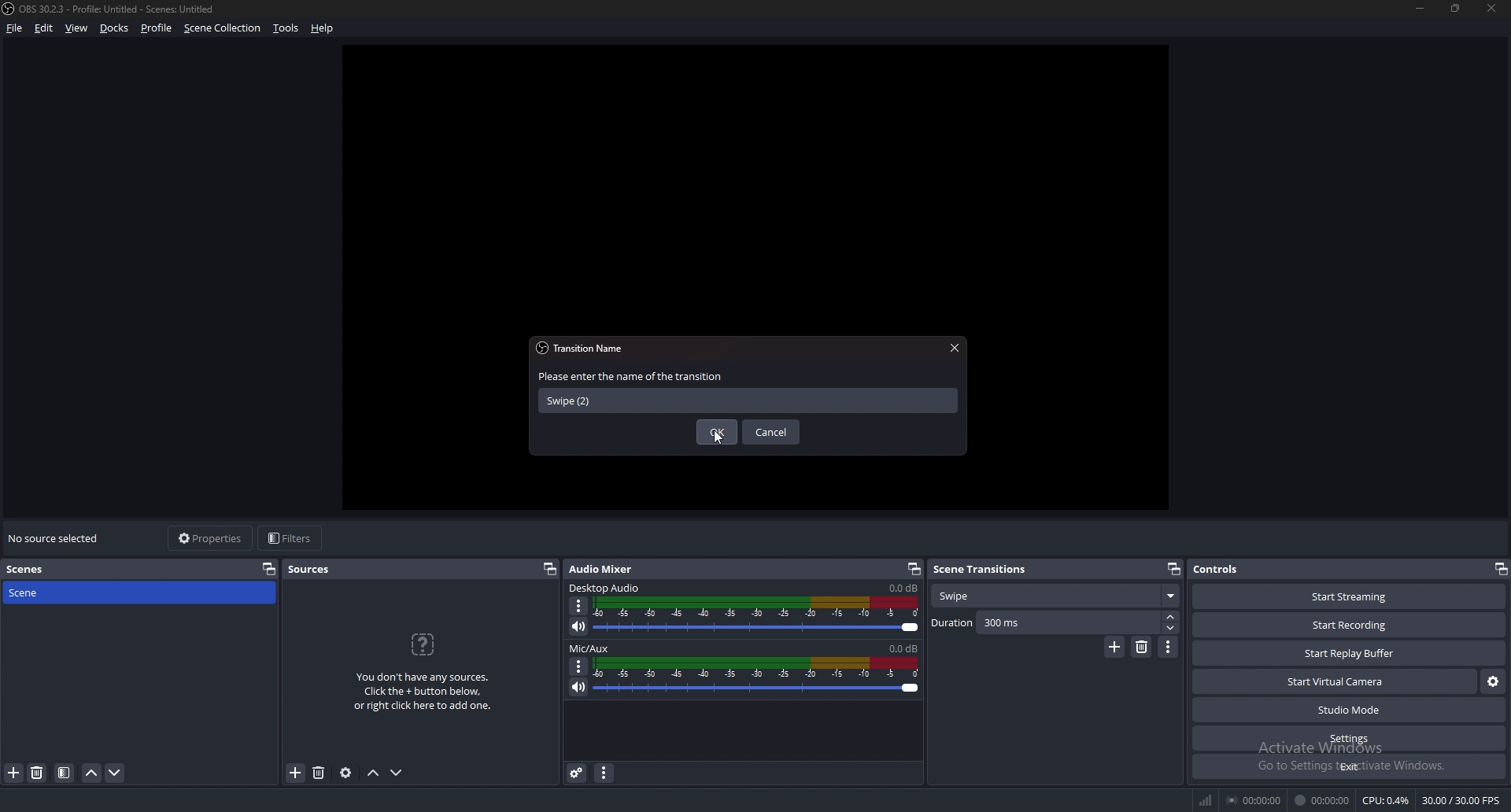  What do you see at coordinates (319, 773) in the screenshot?
I see `remove source` at bounding box center [319, 773].